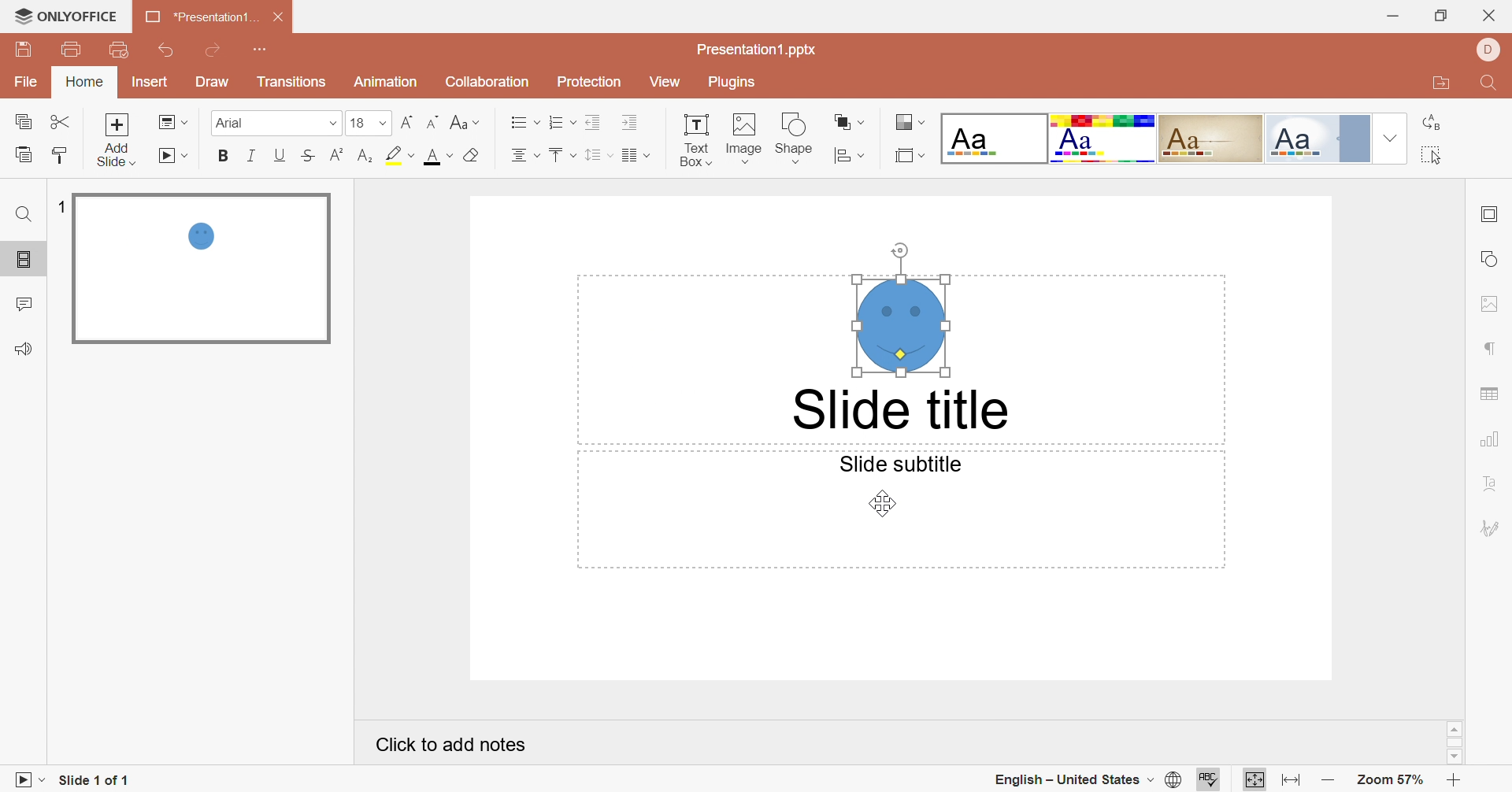 This screenshot has width=1512, height=792. What do you see at coordinates (398, 154) in the screenshot?
I see `Highlight color` at bounding box center [398, 154].